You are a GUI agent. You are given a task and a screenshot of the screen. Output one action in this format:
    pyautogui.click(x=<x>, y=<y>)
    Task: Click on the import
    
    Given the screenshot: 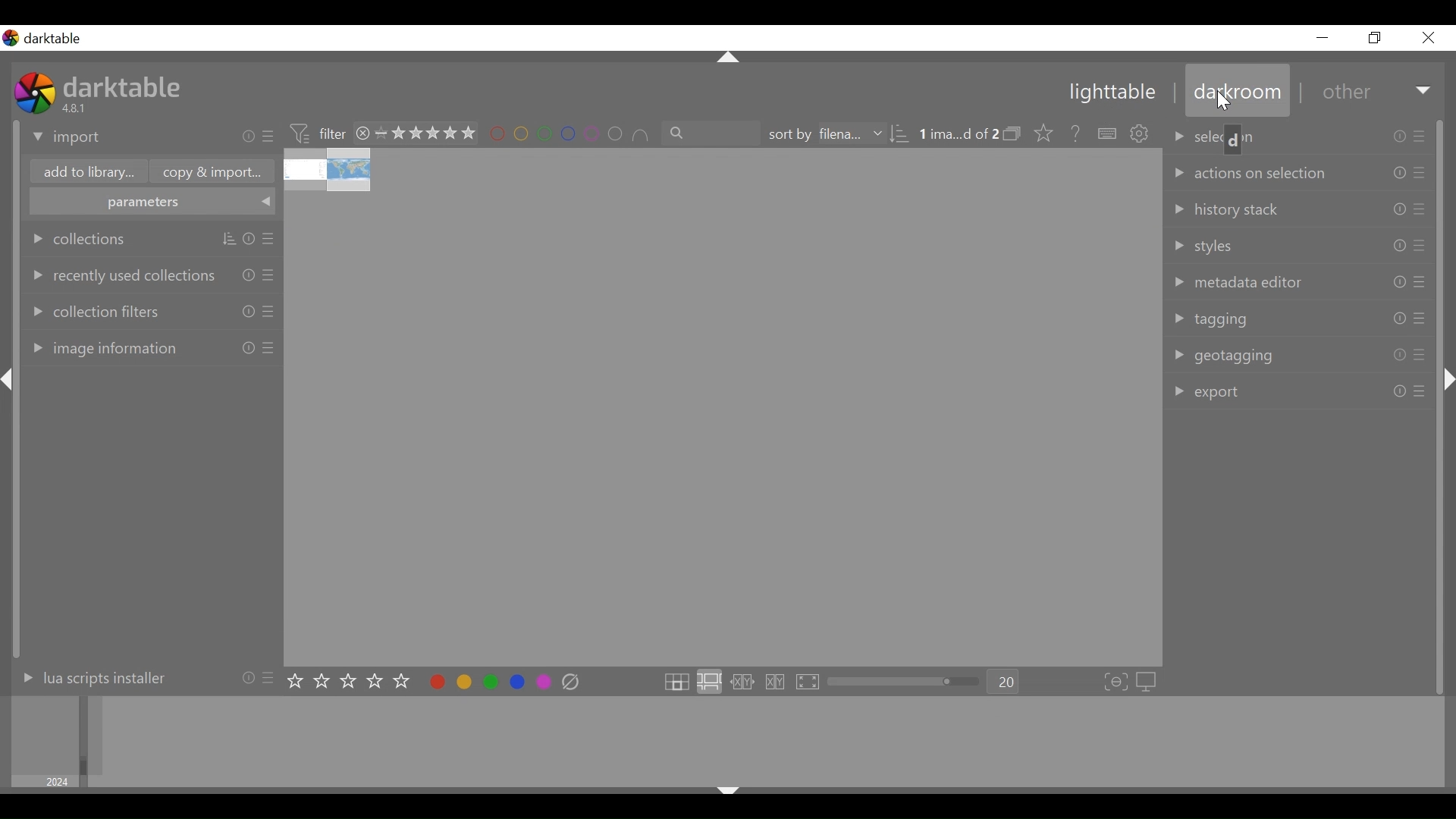 What is the action you would take?
    pyautogui.click(x=149, y=137)
    